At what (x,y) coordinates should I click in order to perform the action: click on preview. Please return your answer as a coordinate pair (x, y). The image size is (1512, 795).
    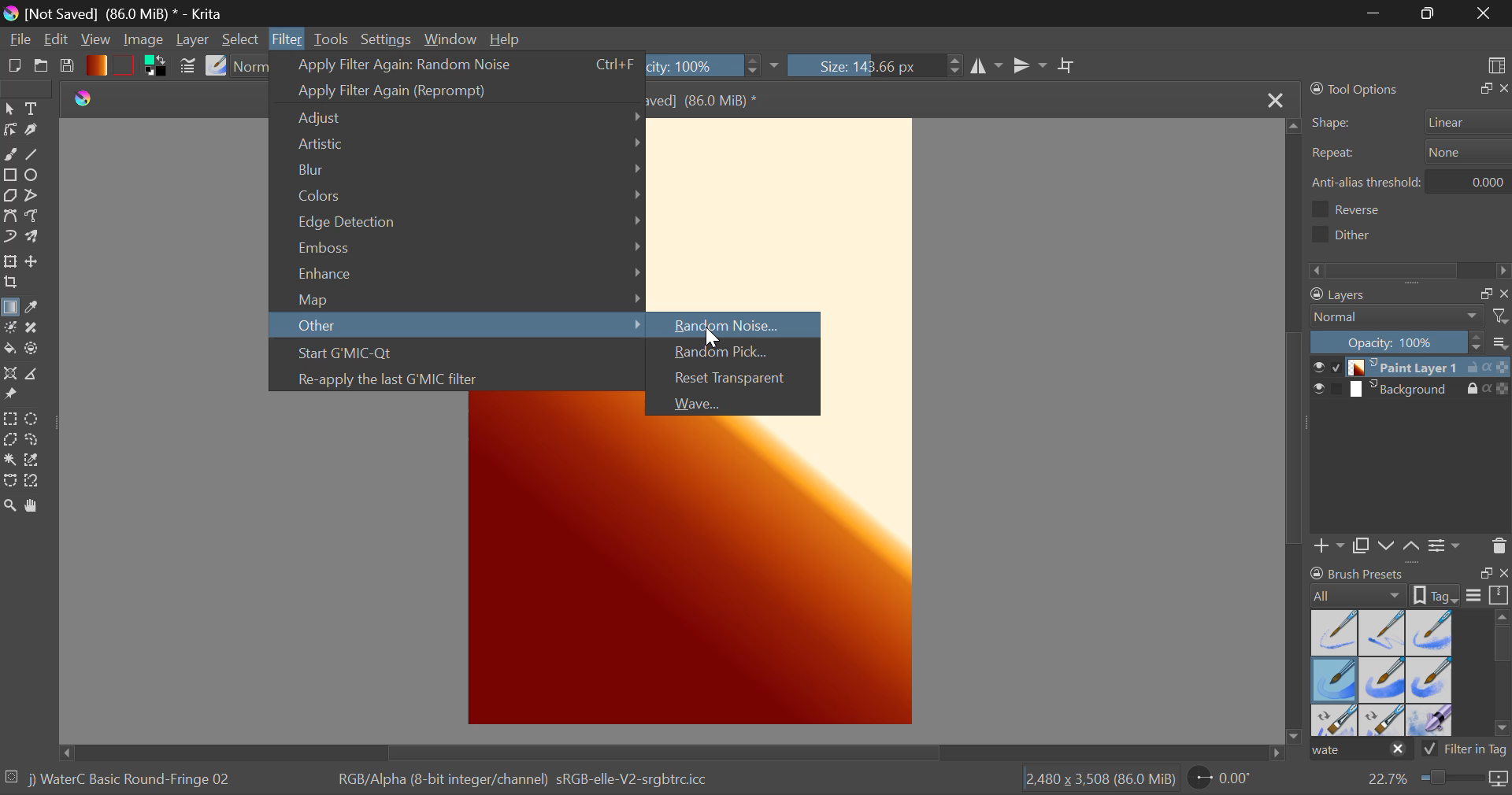
    Looking at the image, I should click on (1317, 390).